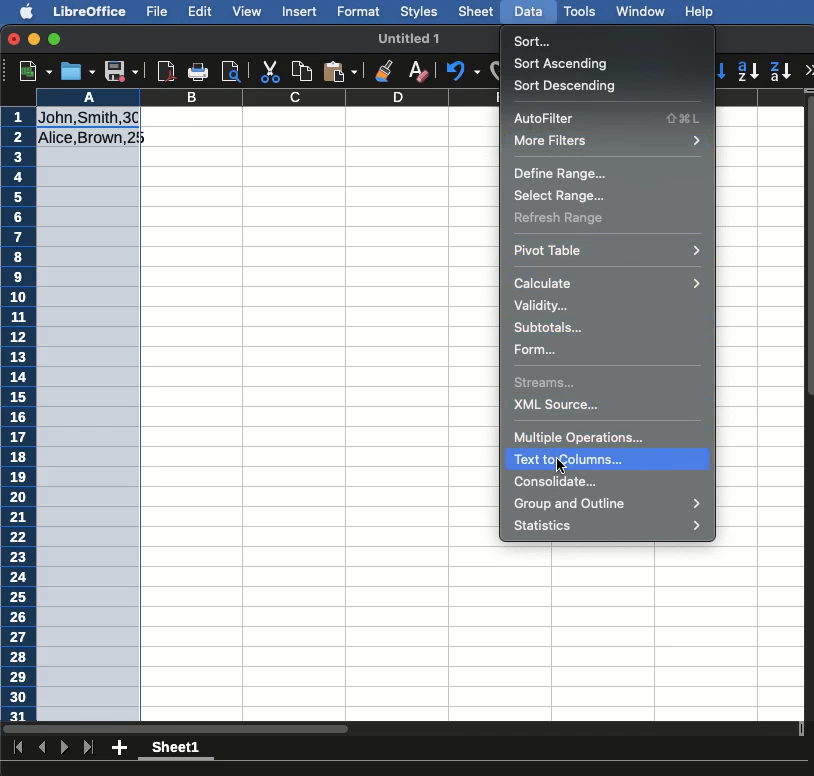  I want to click on Column A selected, so click(88, 404).